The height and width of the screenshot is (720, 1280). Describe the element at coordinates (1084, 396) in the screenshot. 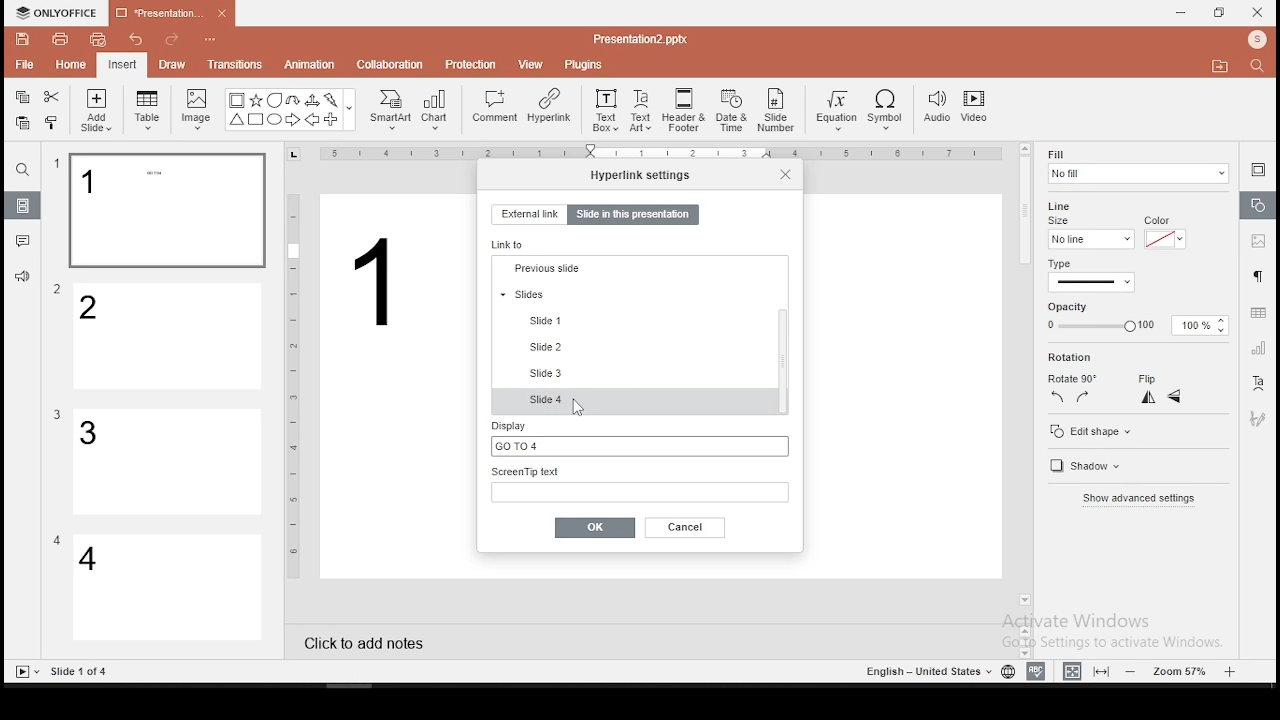

I see `rotate 90 clockwise` at that location.